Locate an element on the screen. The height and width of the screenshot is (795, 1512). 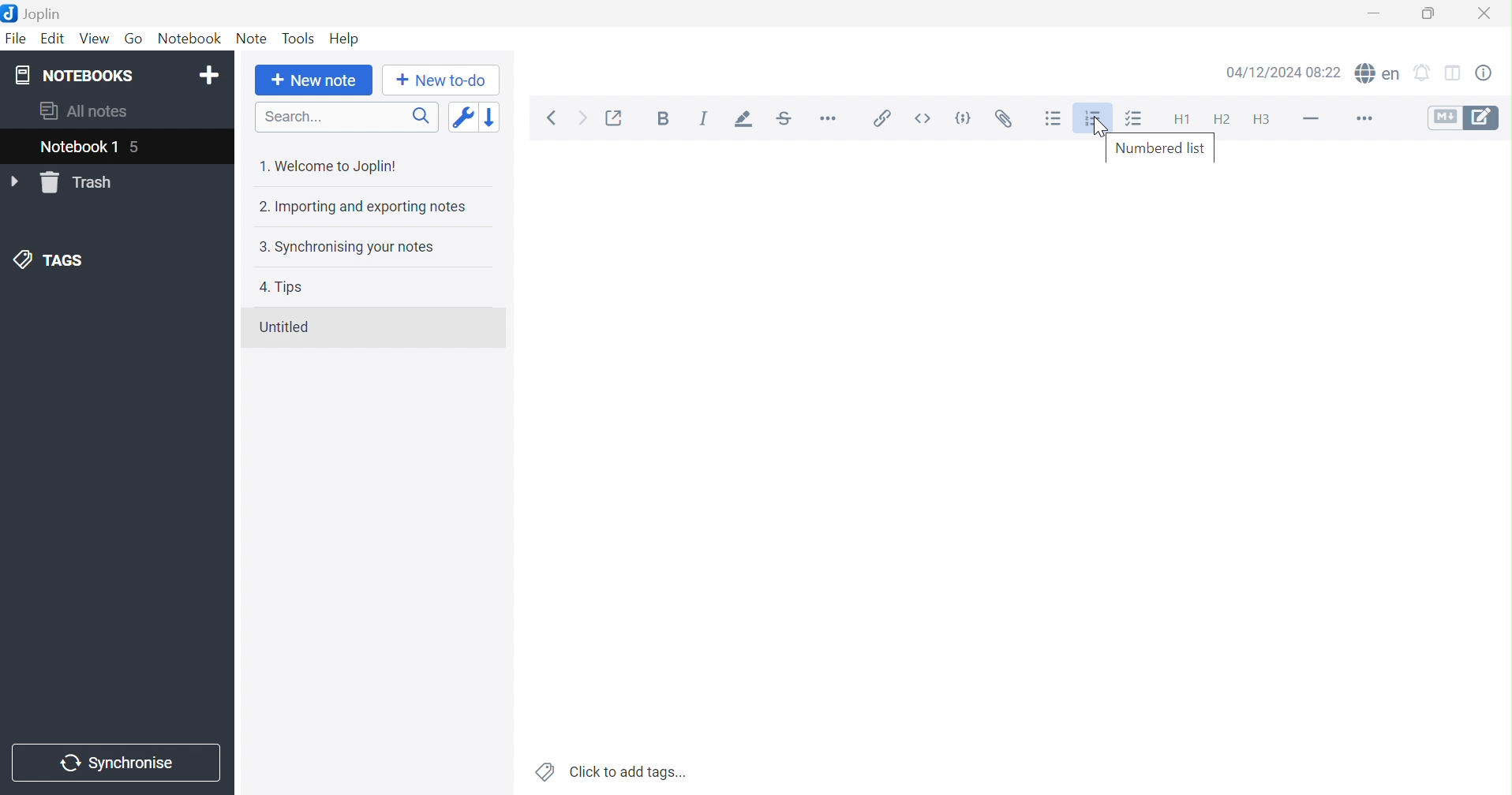
Toggle editor layout is located at coordinates (1458, 70).